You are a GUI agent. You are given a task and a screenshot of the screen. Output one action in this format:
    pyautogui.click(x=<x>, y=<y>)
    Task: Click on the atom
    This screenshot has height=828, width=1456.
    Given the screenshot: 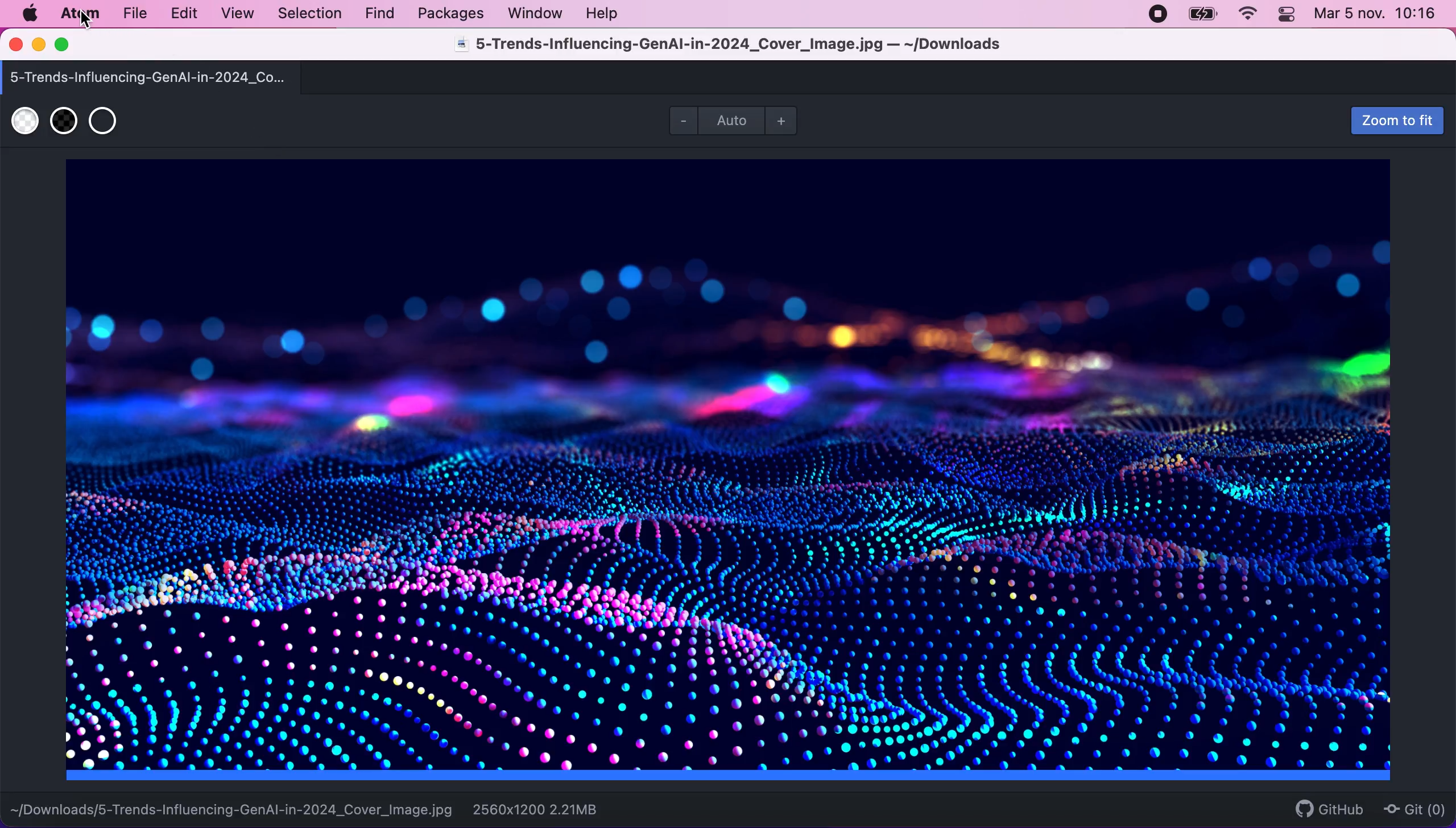 What is the action you would take?
    pyautogui.click(x=79, y=13)
    